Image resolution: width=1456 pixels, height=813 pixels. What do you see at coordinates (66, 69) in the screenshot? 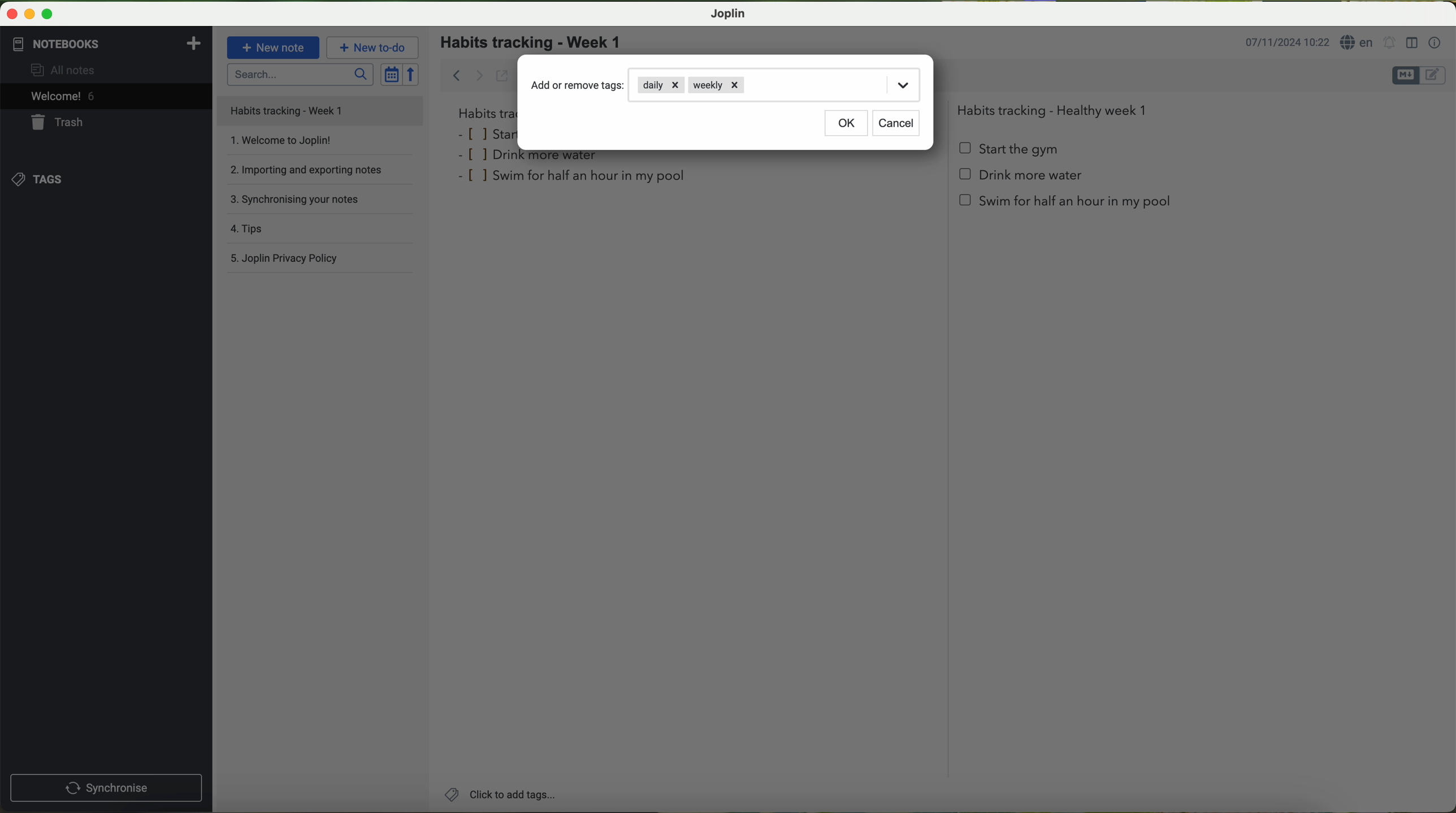
I see `all notes` at bounding box center [66, 69].